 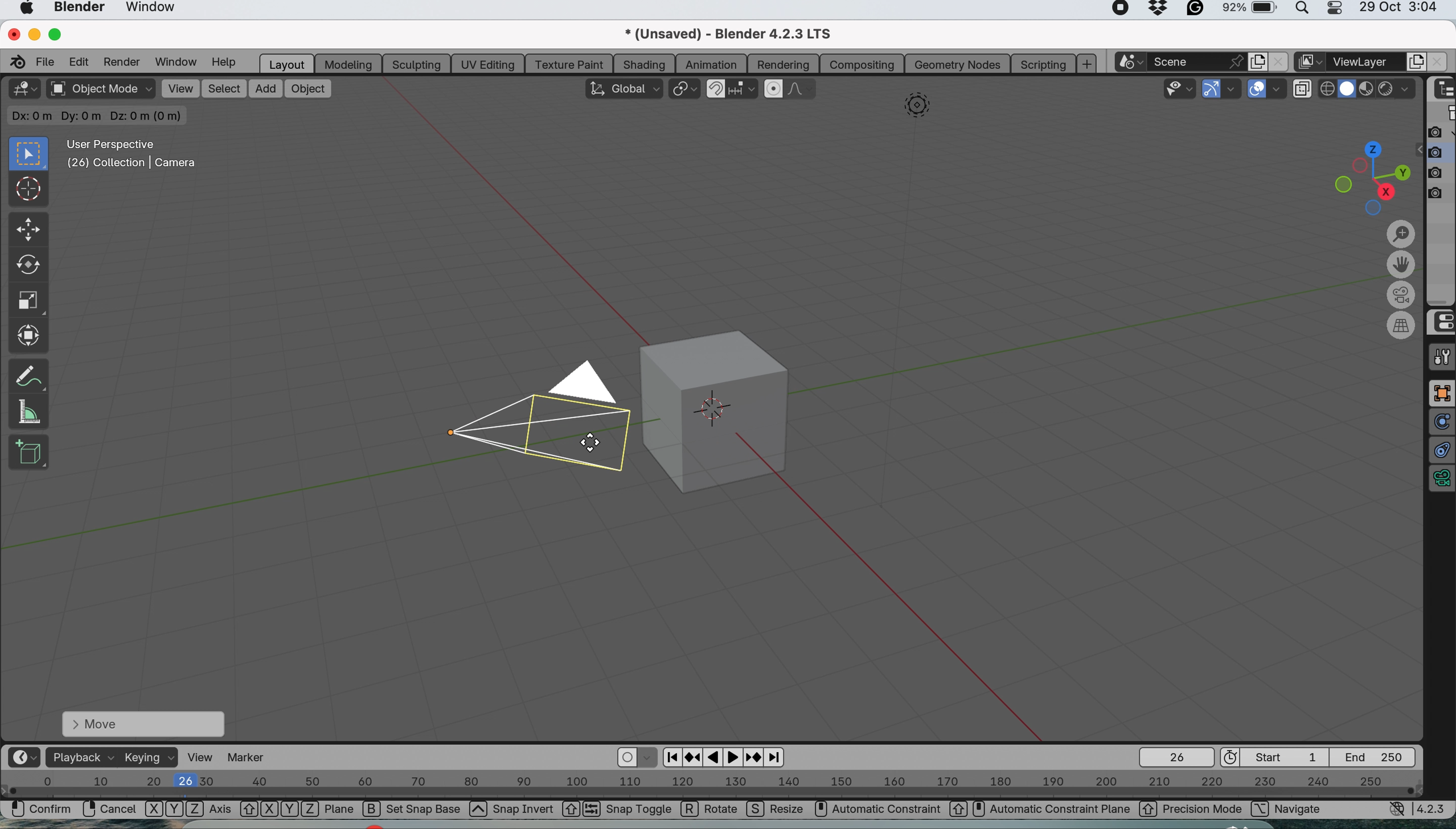 What do you see at coordinates (489, 63) in the screenshot?
I see `uv editing` at bounding box center [489, 63].